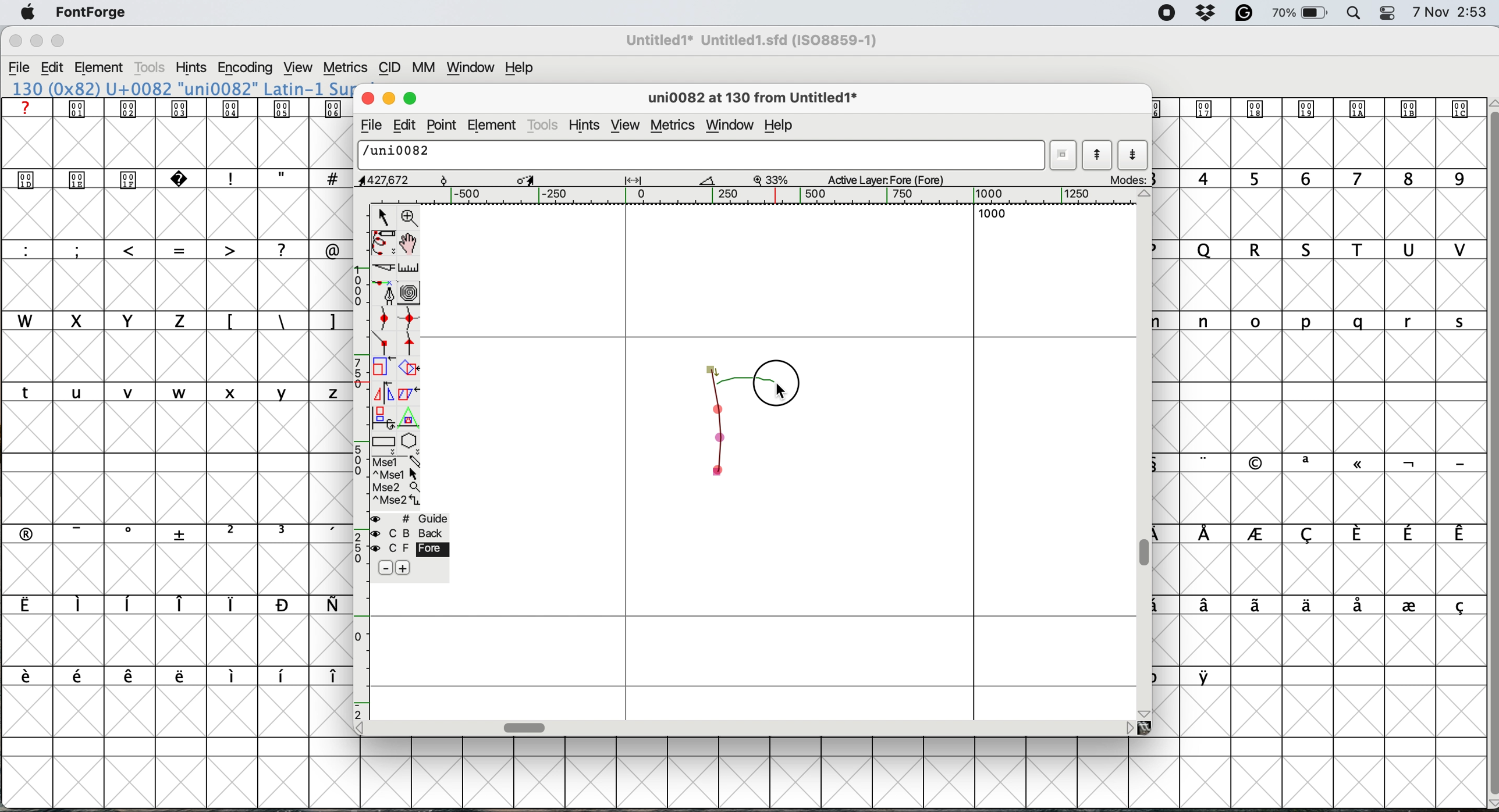 This screenshot has width=1499, height=812. What do you see at coordinates (781, 386) in the screenshot?
I see `cursor` at bounding box center [781, 386].